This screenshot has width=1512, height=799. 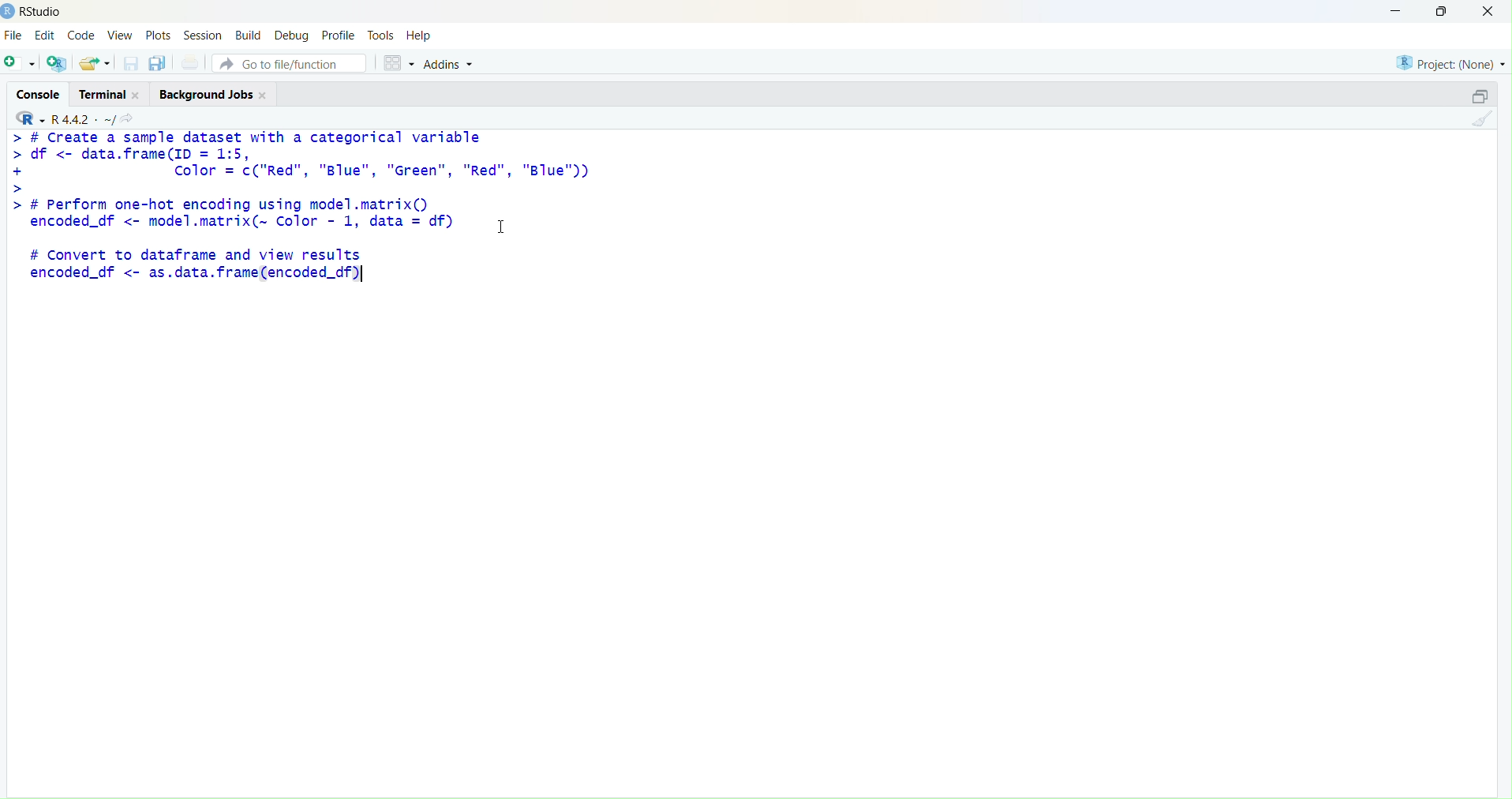 What do you see at coordinates (208, 96) in the screenshot?
I see `background jobs` at bounding box center [208, 96].